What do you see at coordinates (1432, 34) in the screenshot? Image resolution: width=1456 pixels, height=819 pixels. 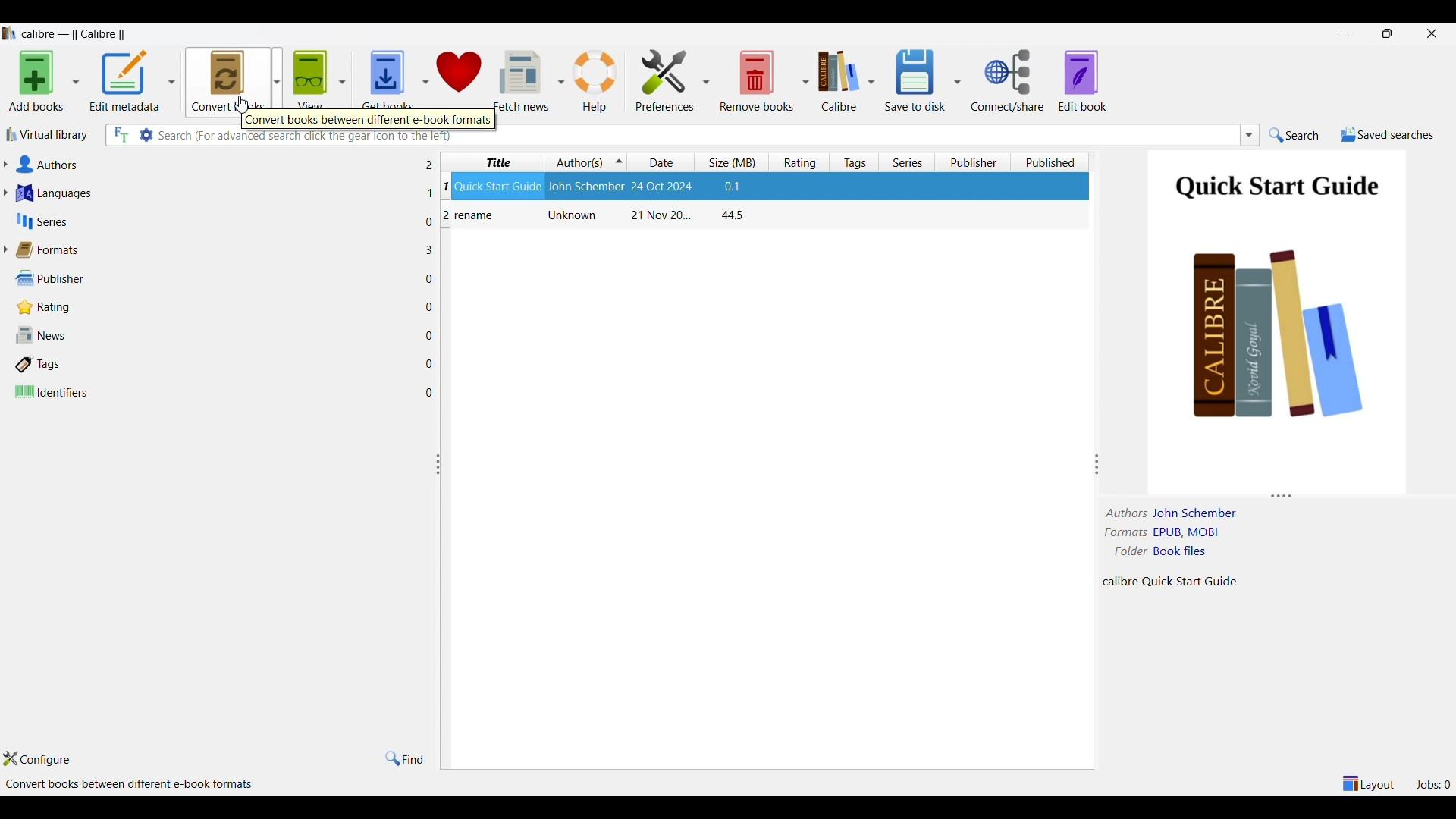 I see `Close interface` at bounding box center [1432, 34].